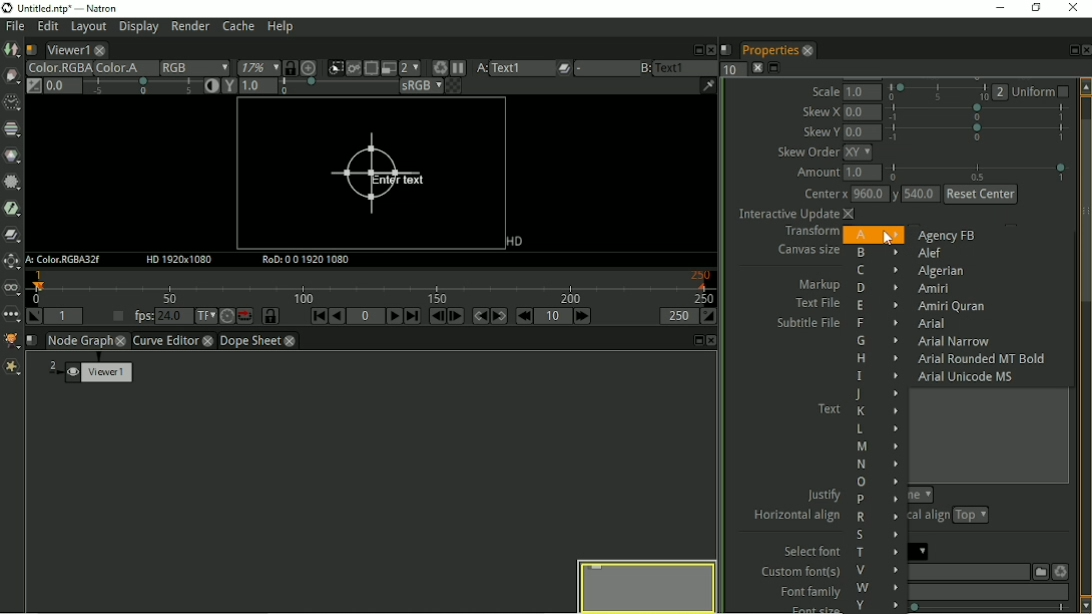 The image size is (1092, 614). What do you see at coordinates (366, 316) in the screenshot?
I see `Current frame` at bounding box center [366, 316].